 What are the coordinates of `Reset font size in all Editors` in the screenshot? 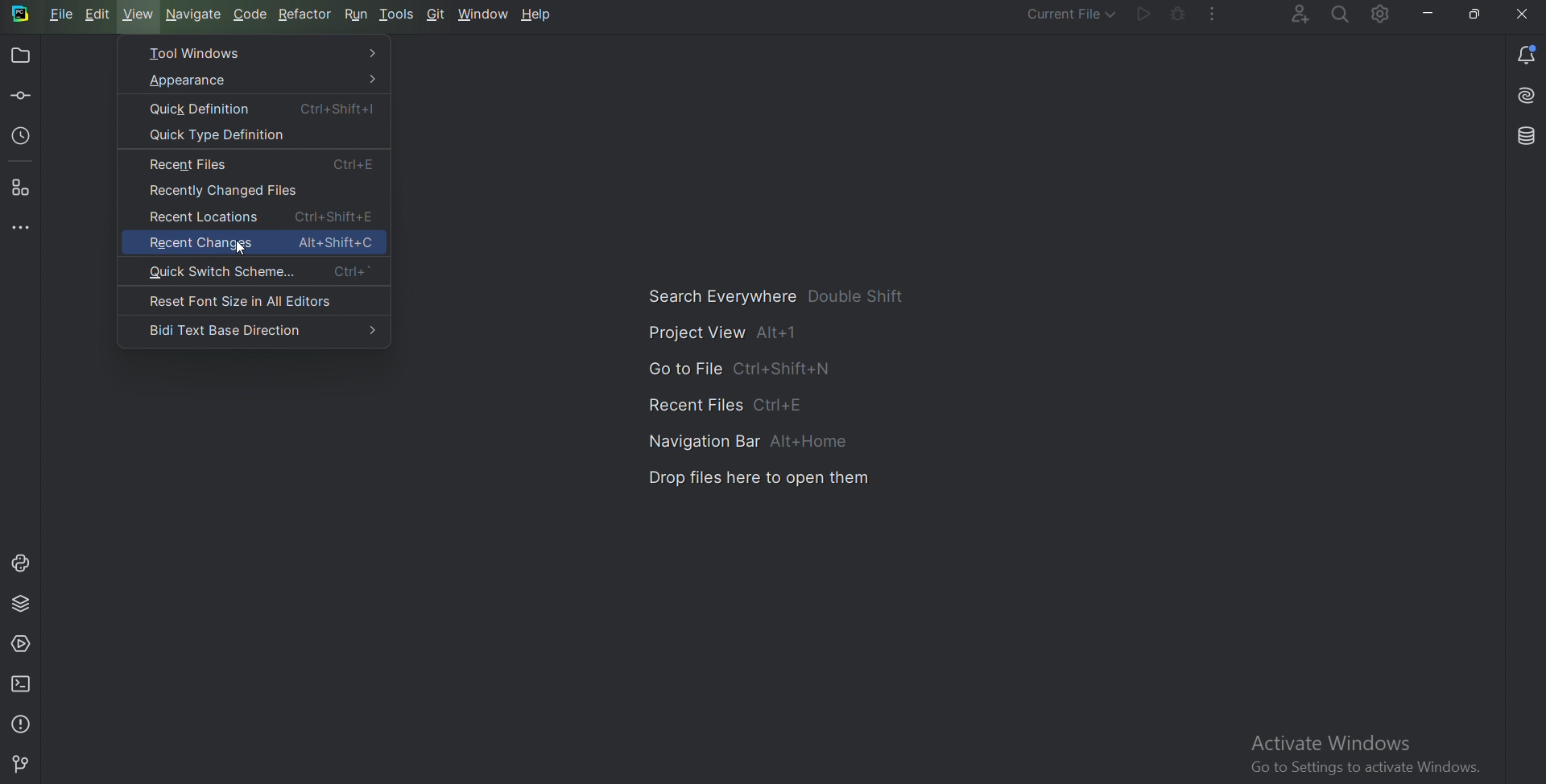 It's located at (254, 301).